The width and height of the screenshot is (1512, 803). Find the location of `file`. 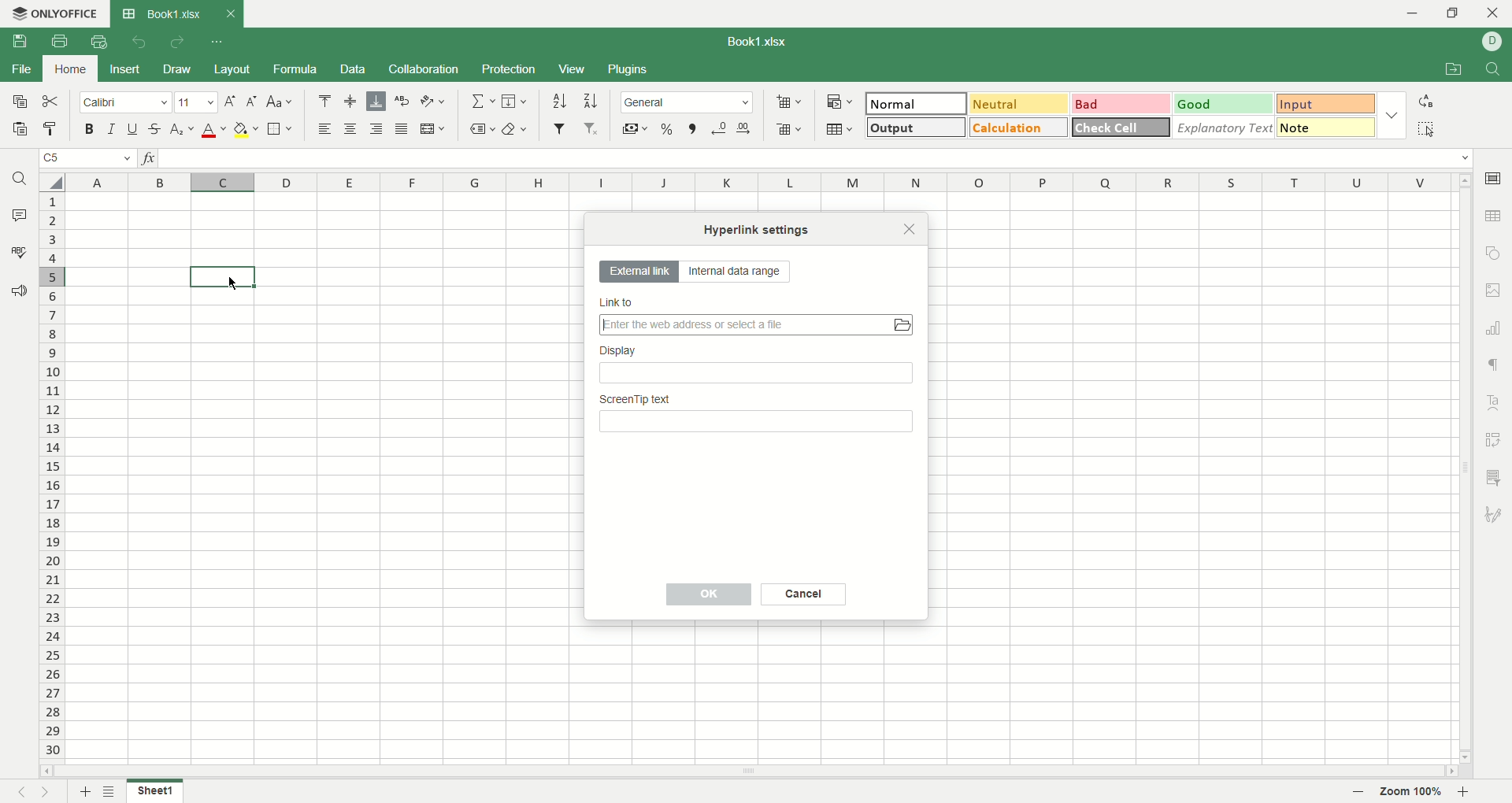

file is located at coordinates (20, 71).